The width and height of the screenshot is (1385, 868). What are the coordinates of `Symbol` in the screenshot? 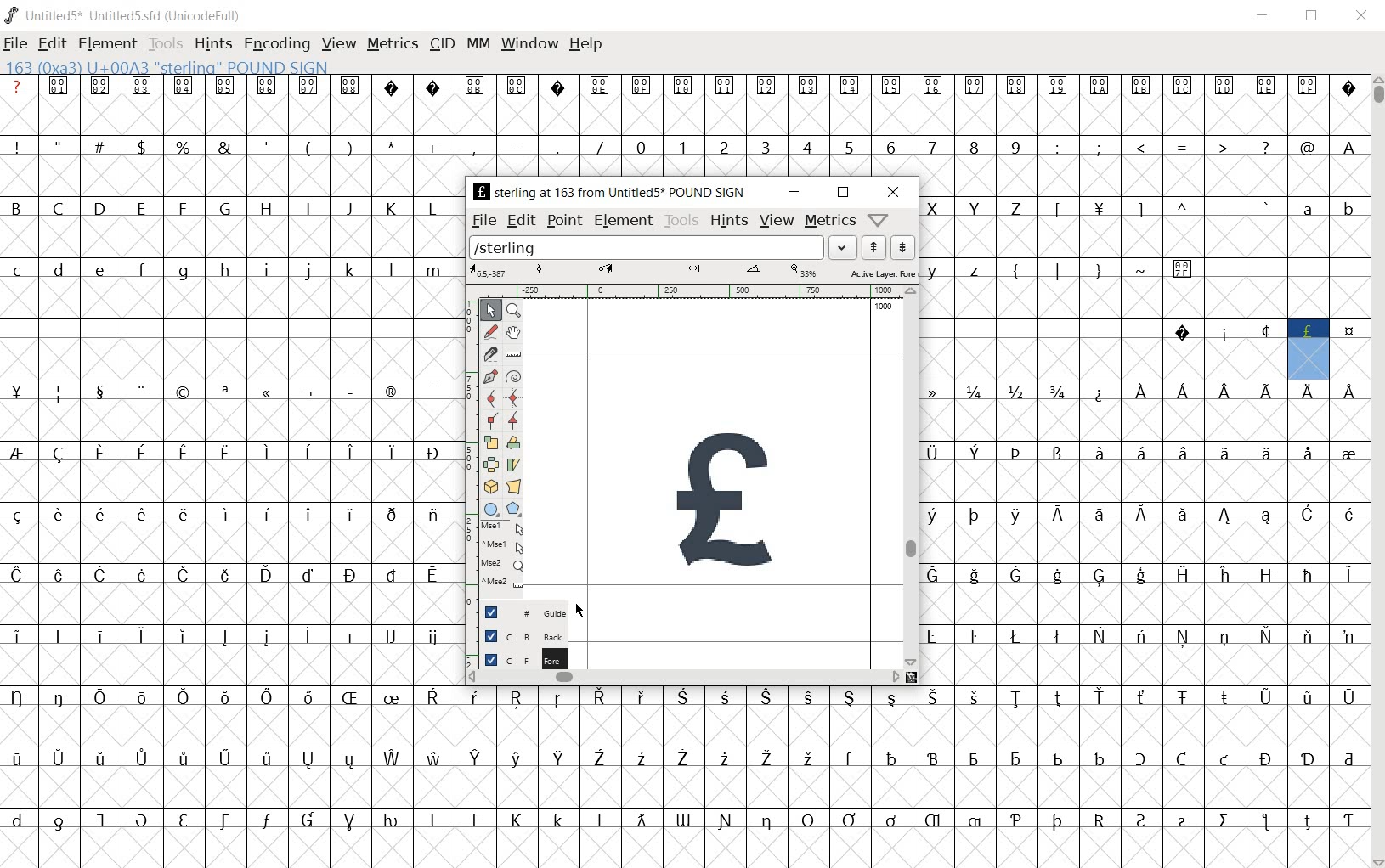 It's located at (723, 699).